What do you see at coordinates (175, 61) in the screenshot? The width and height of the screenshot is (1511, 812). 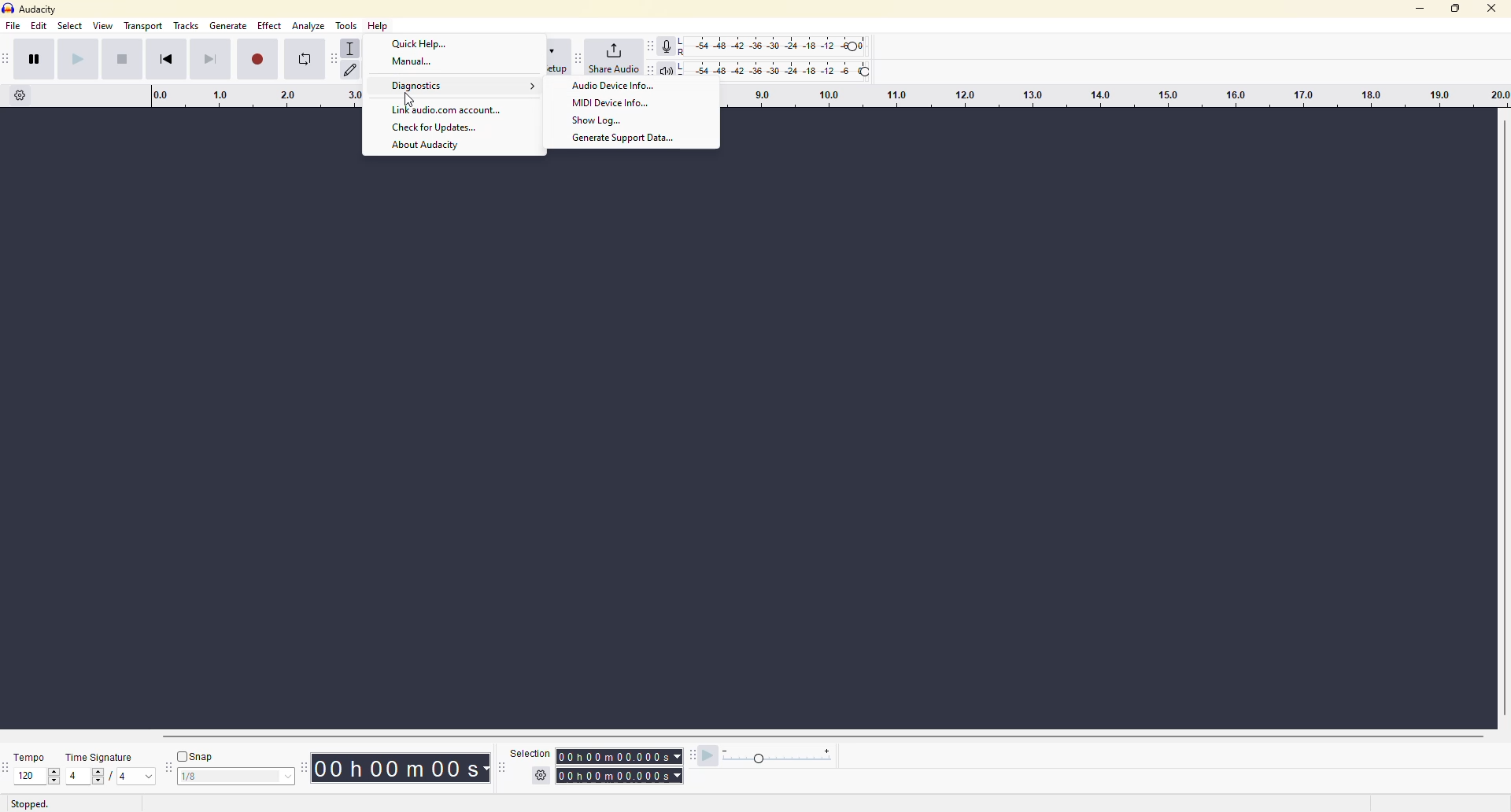 I see `skip to start` at bounding box center [175, 61].